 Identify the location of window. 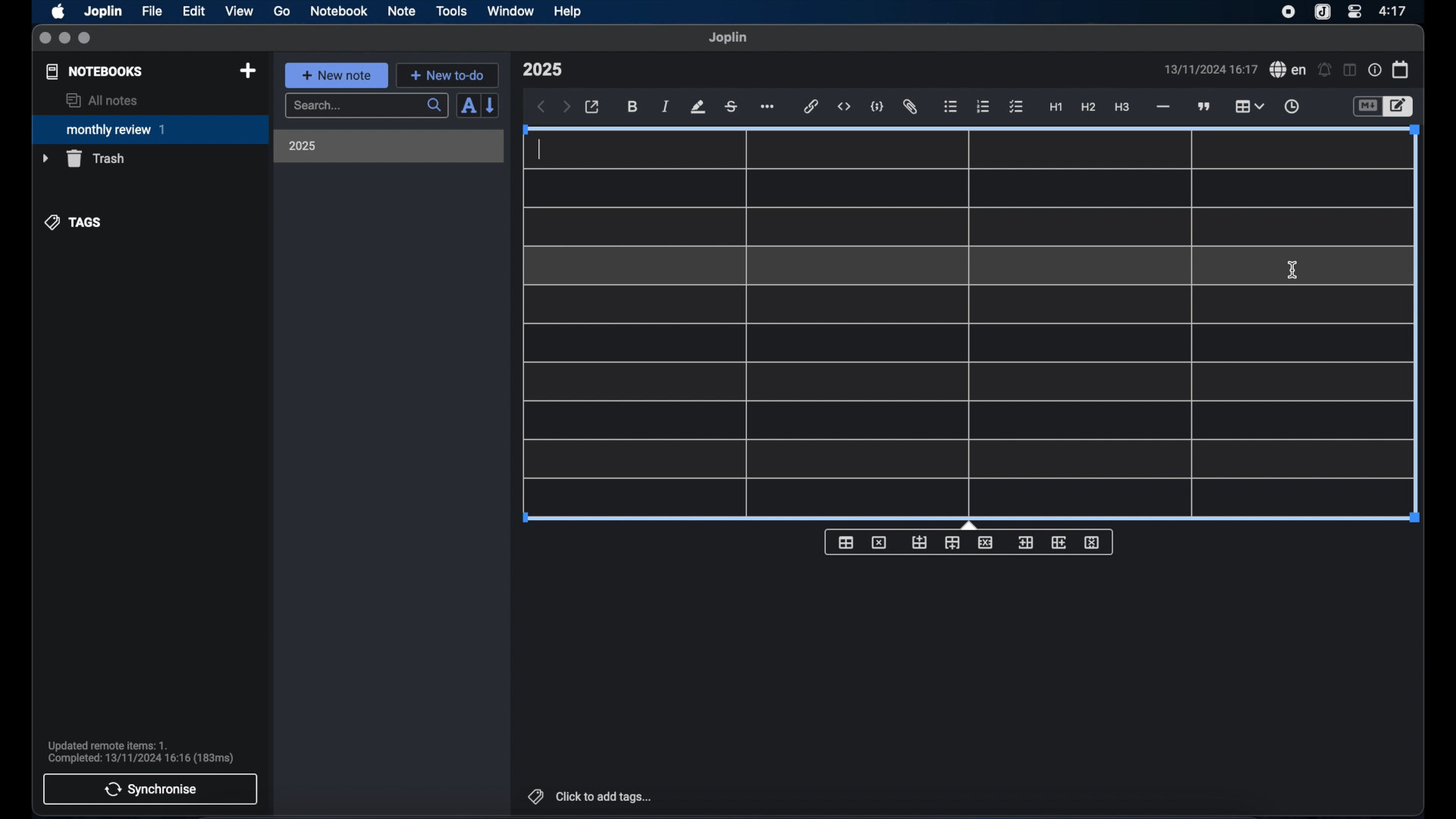
(511, 11).